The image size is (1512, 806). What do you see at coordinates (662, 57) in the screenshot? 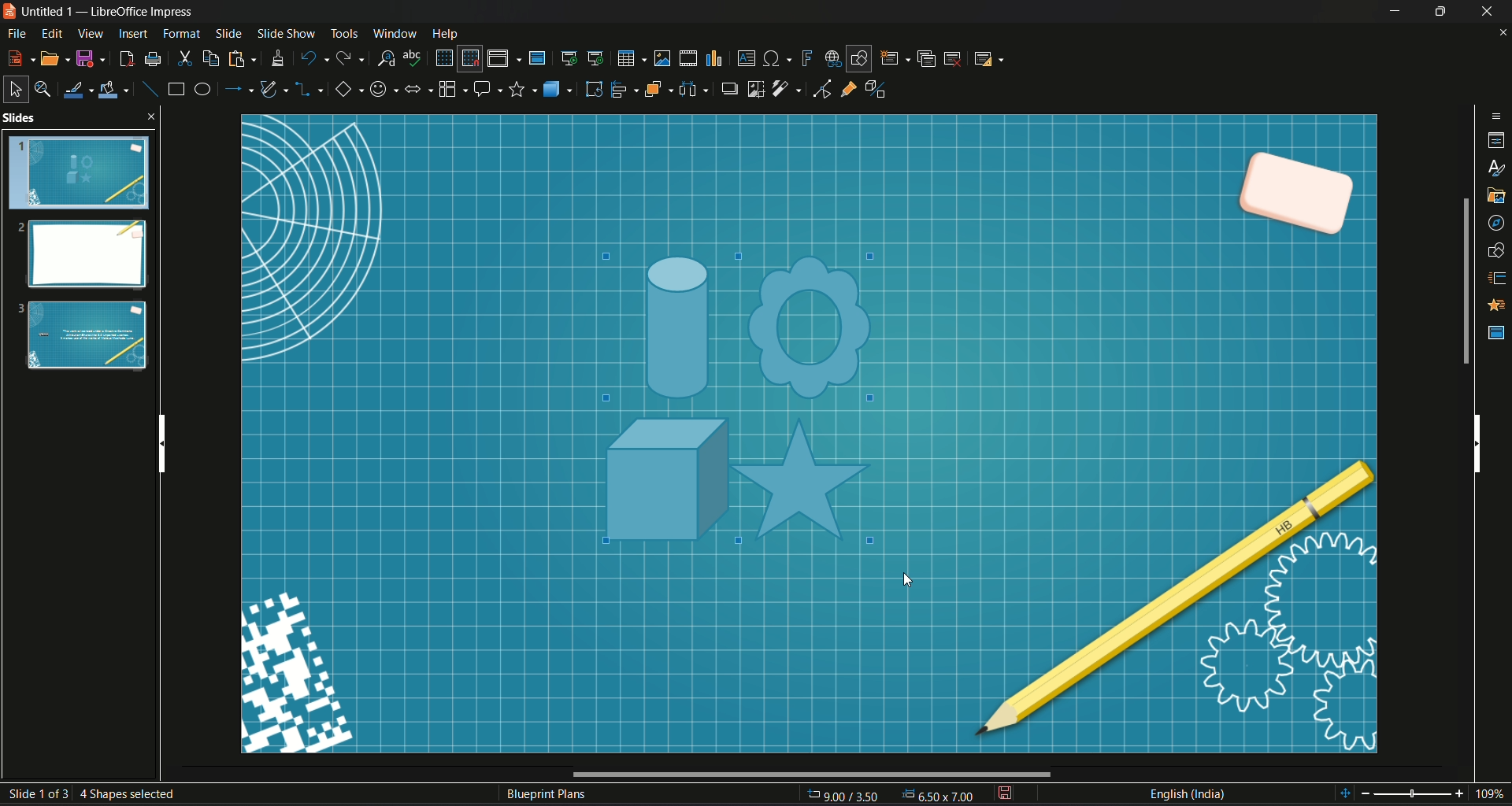
I see `insert image` at bounding box center [662, 57].